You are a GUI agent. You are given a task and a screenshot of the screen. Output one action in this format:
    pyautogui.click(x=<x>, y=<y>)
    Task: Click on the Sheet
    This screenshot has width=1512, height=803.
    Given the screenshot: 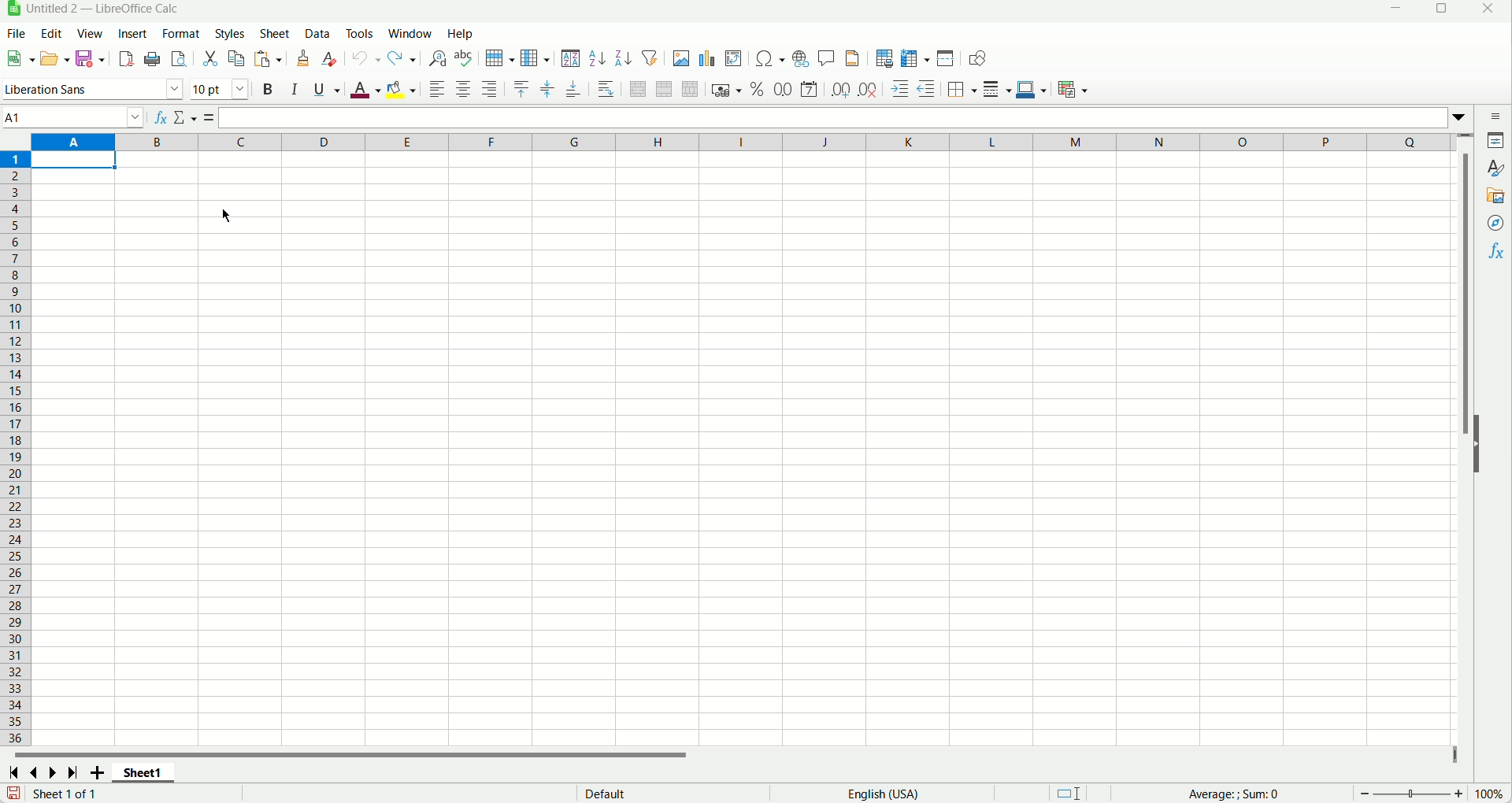 What is the action you would take?
    pyautogui.click(x=274, y=34)
    